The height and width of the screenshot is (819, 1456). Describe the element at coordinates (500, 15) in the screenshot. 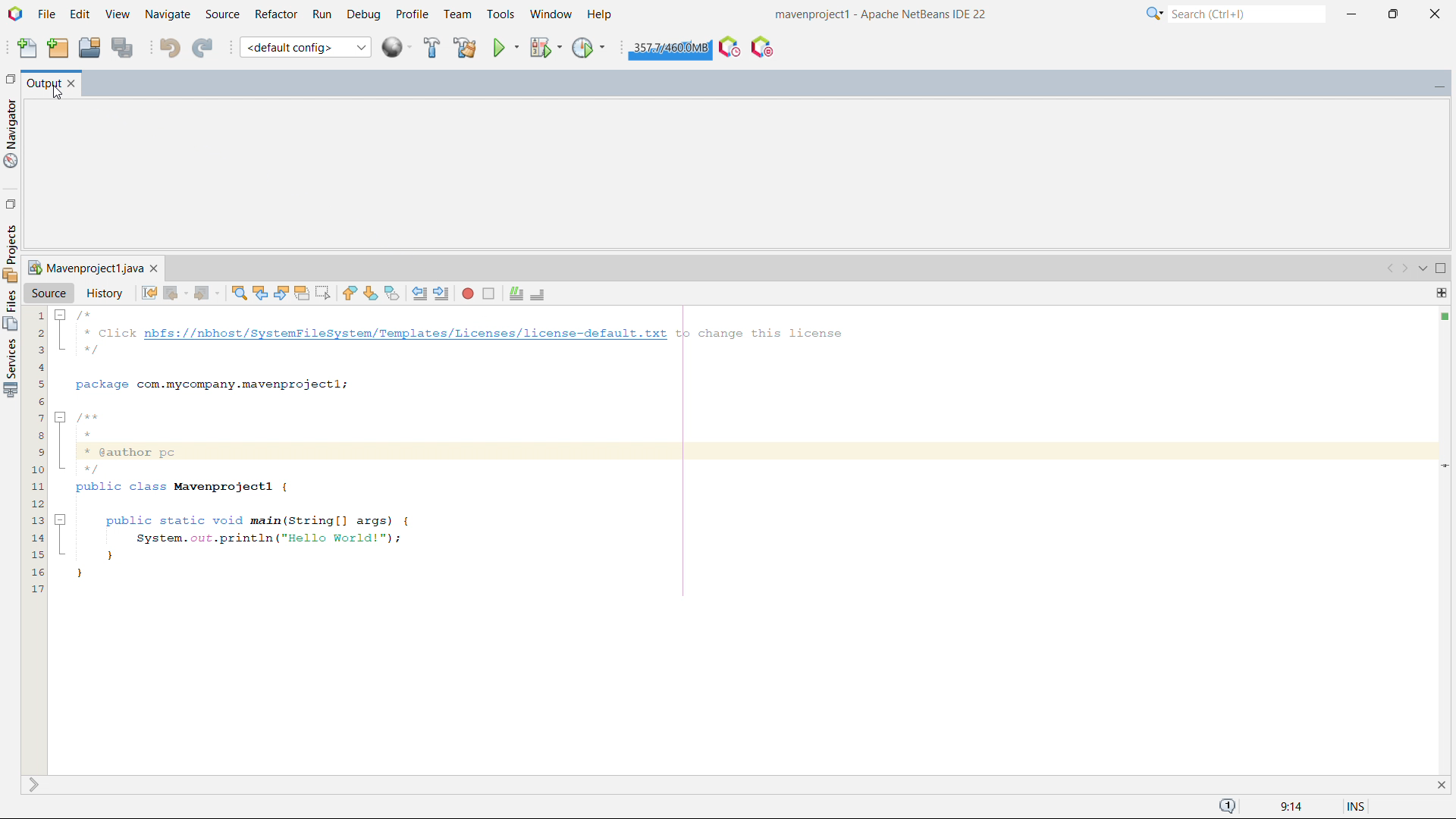

I see `tools` at that location.